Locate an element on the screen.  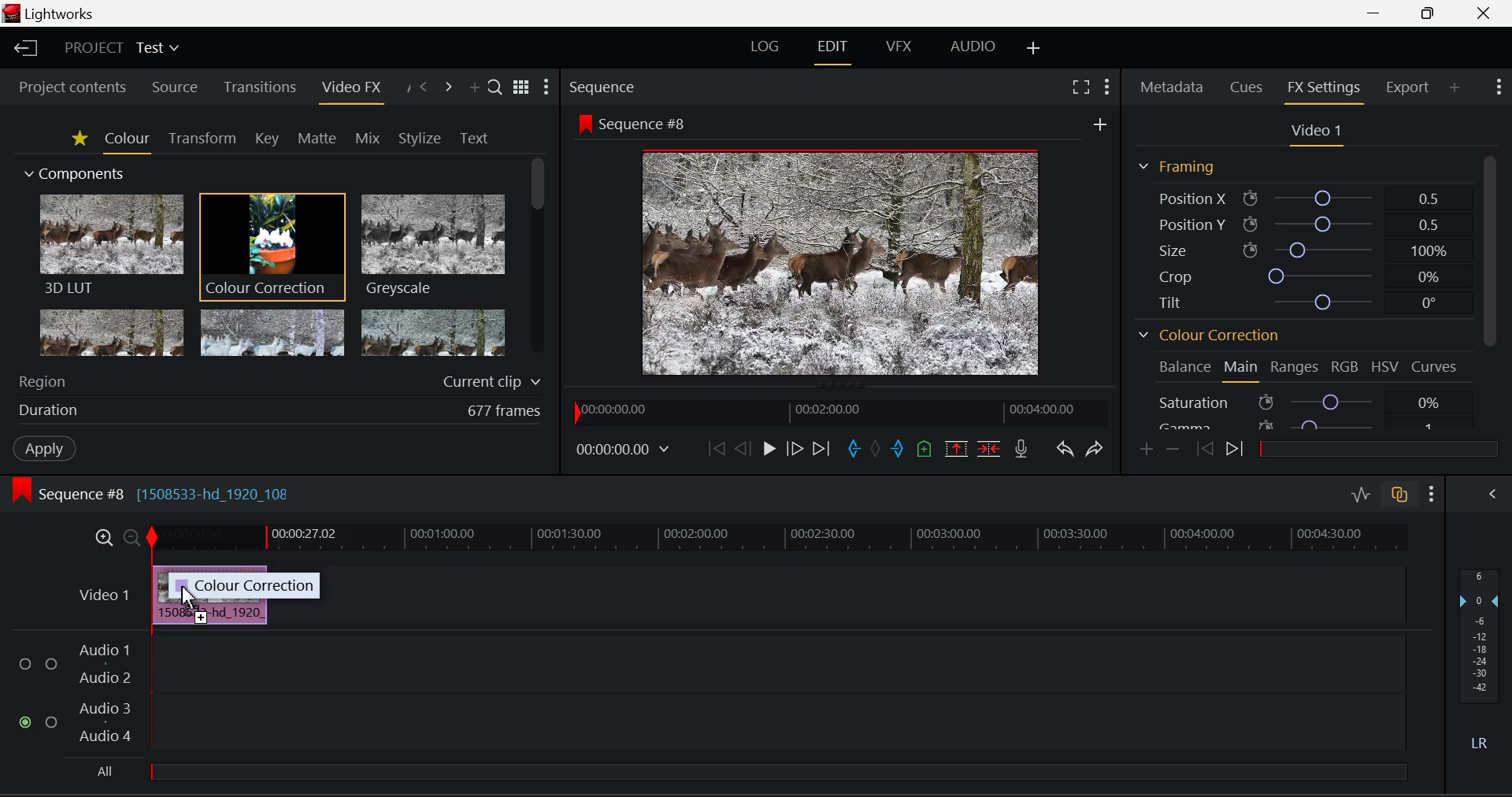
EDIT Layout Open is located at coordinates (833, 50).